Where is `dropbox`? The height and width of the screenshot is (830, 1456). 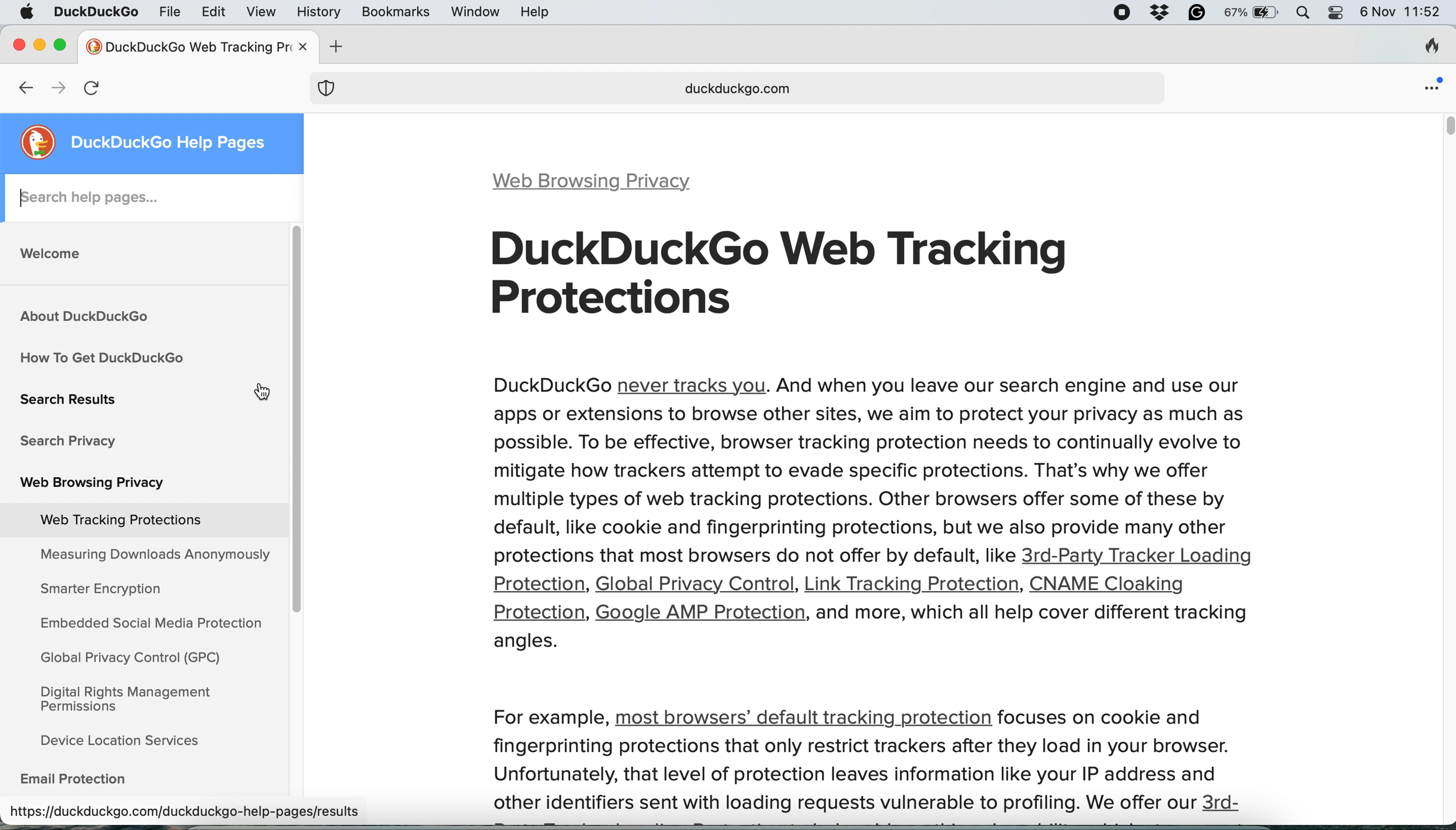 dropbox is located at coordinates (1164, 13).